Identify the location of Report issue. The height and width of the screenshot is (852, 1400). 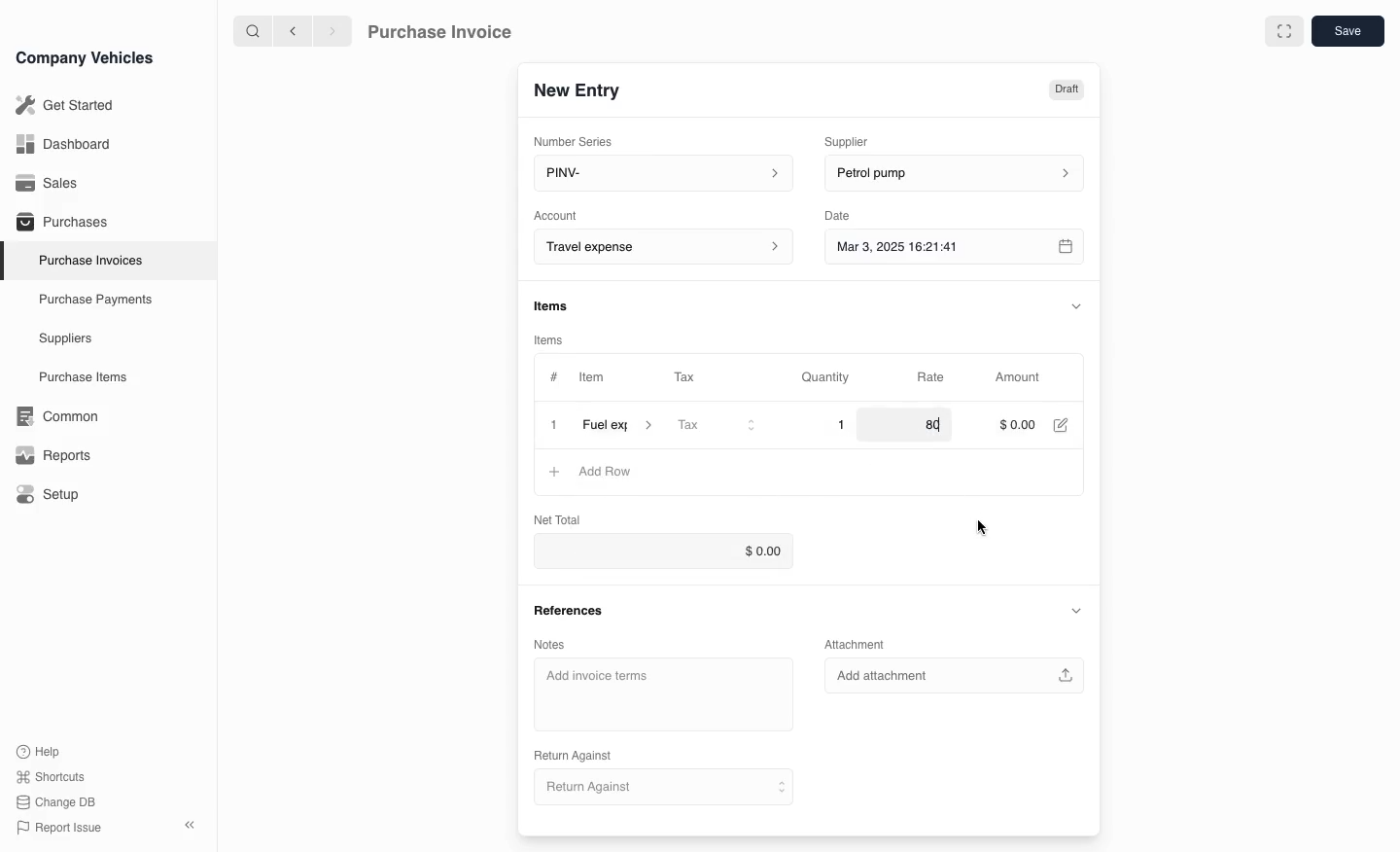
(62, 829).